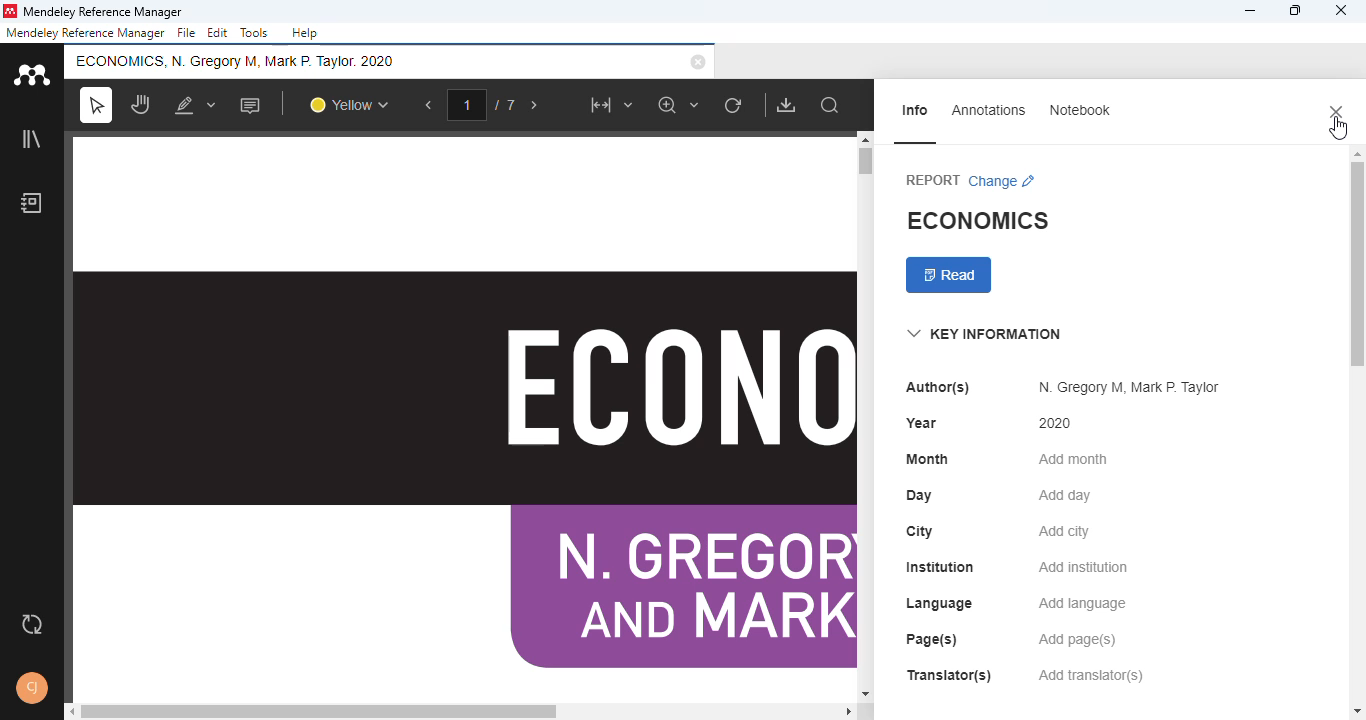 Image resolution: width=1366 pixels, height=720 pixels. Describe the element at coordinates (12, 11) in the screenshot. I see `logo` at that location.